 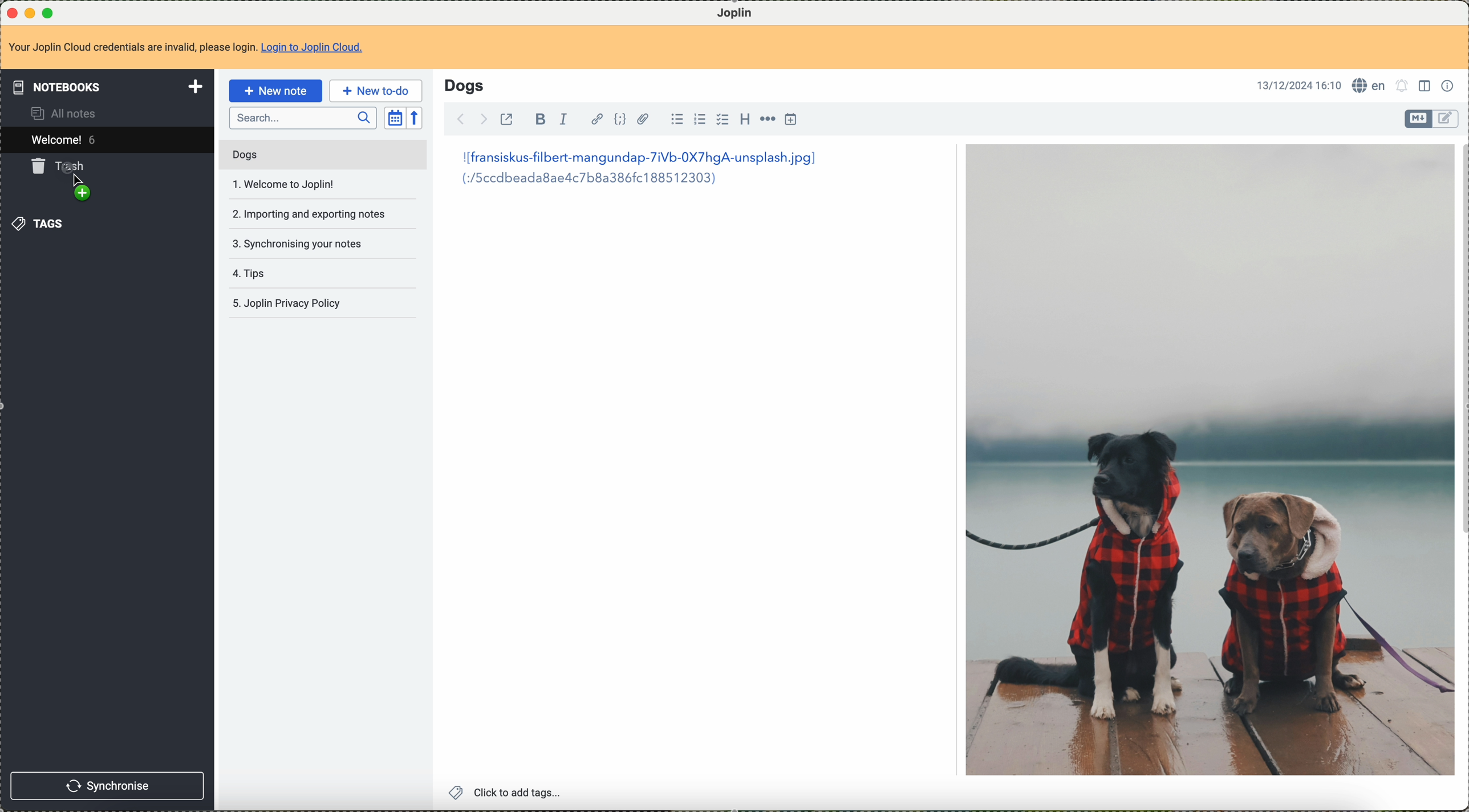 I want to click on note properties, so click(x=1450, y=87).